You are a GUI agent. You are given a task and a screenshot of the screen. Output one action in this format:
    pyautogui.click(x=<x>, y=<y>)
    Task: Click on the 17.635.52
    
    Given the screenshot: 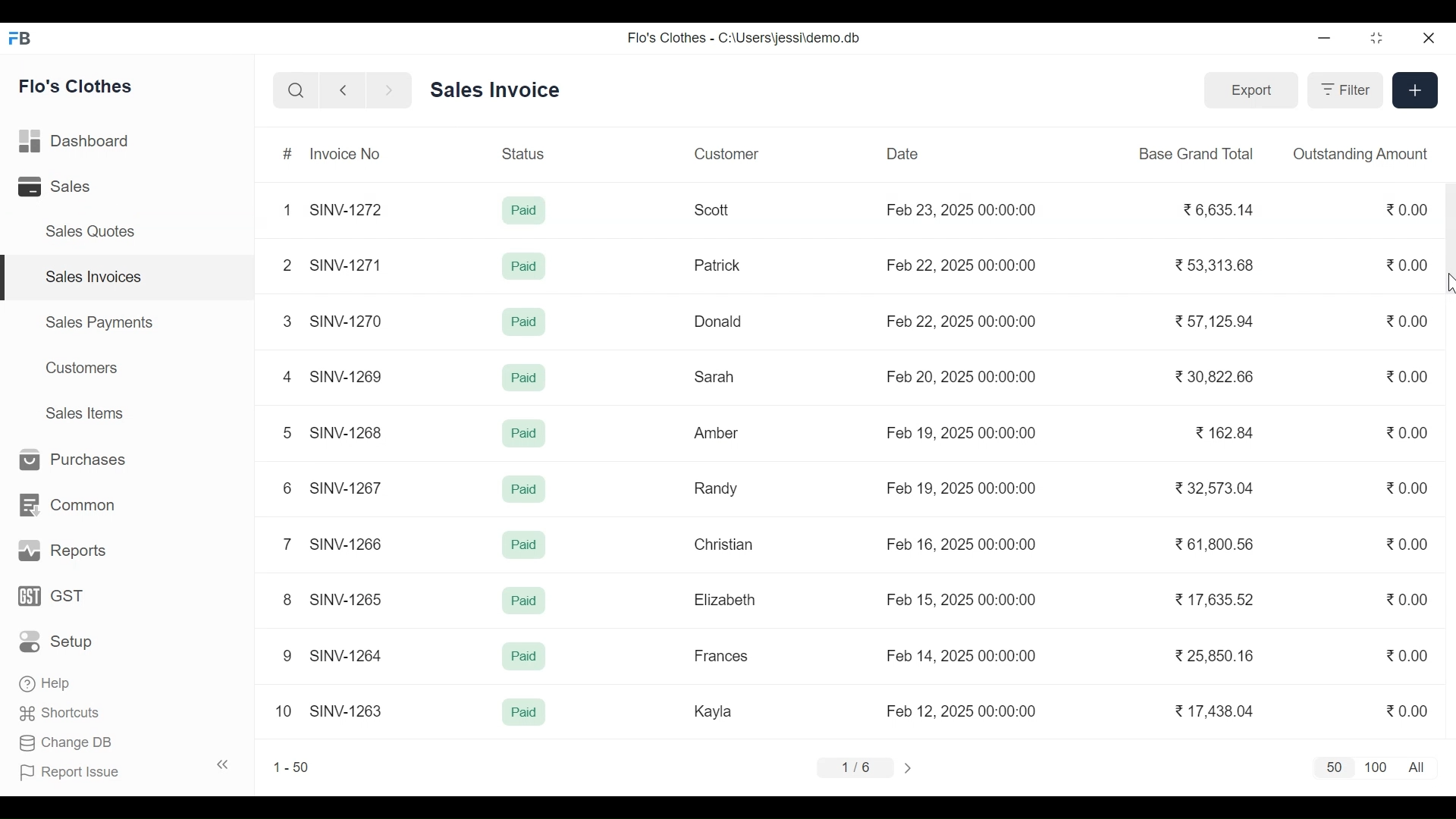 What is the action you would take?
    pyautogui.click(x=1212, y=598)
    